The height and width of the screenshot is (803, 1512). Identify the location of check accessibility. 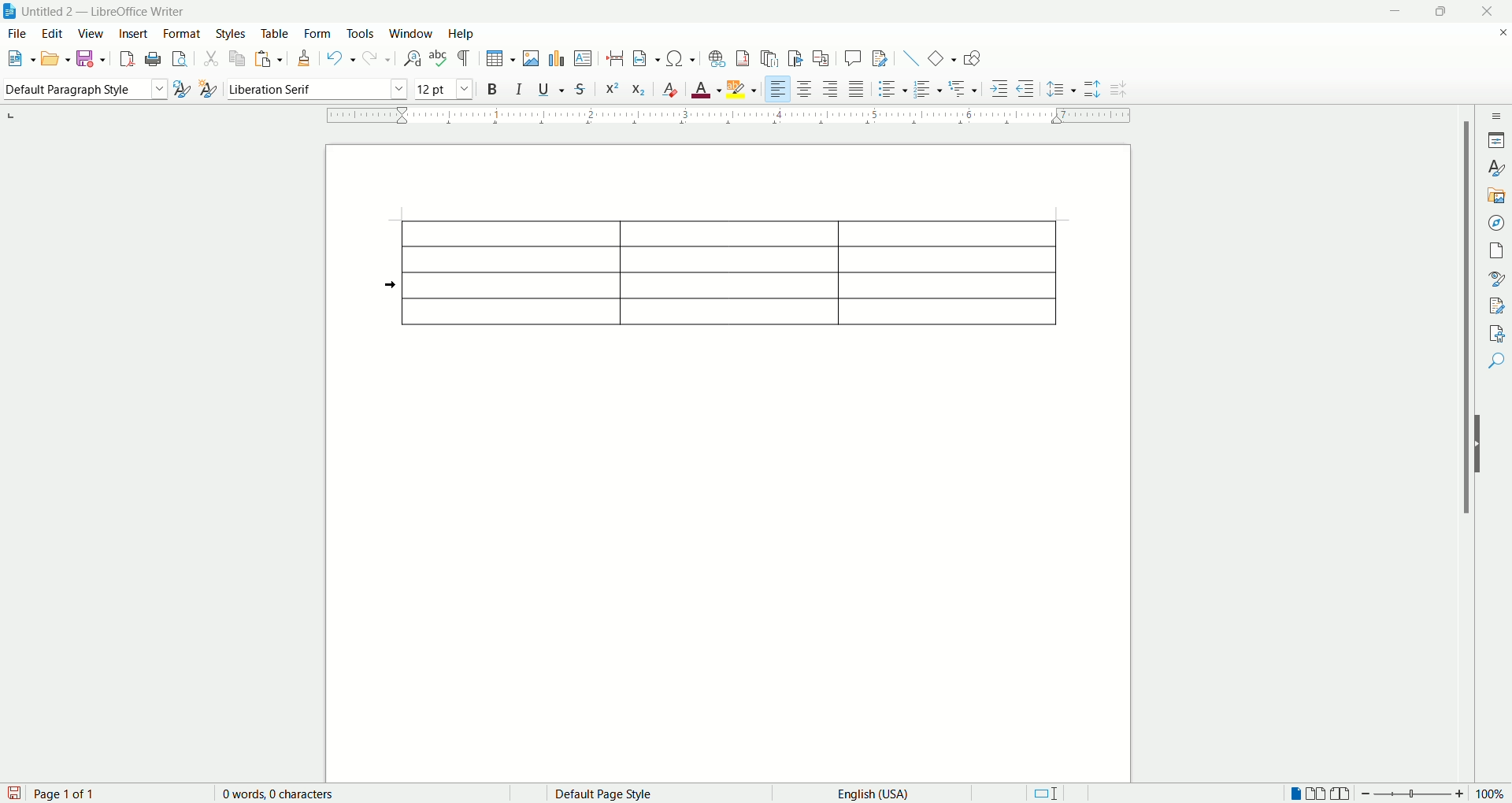
(1495, 333).